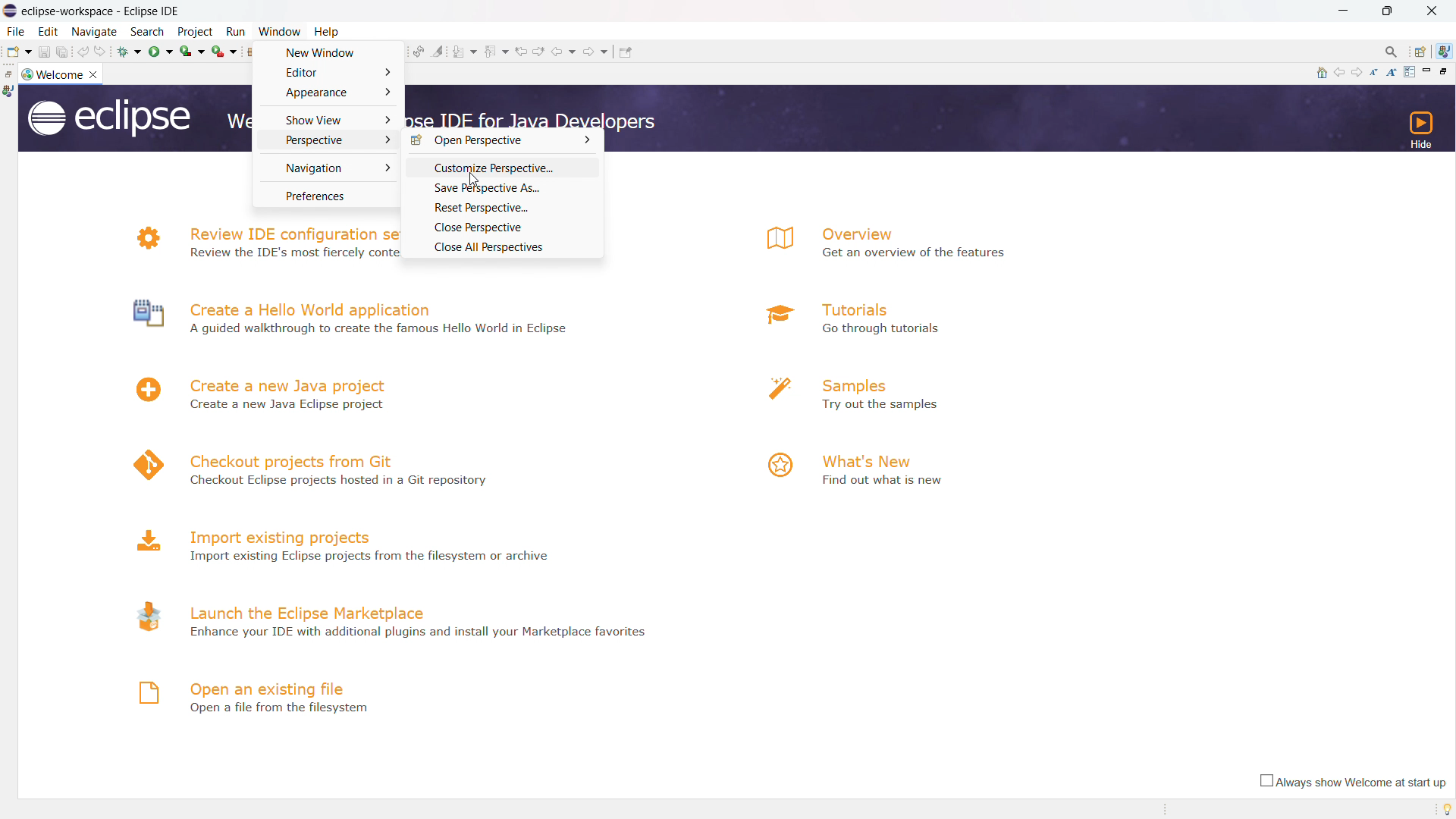  I want to click on search, so click(149, 32).